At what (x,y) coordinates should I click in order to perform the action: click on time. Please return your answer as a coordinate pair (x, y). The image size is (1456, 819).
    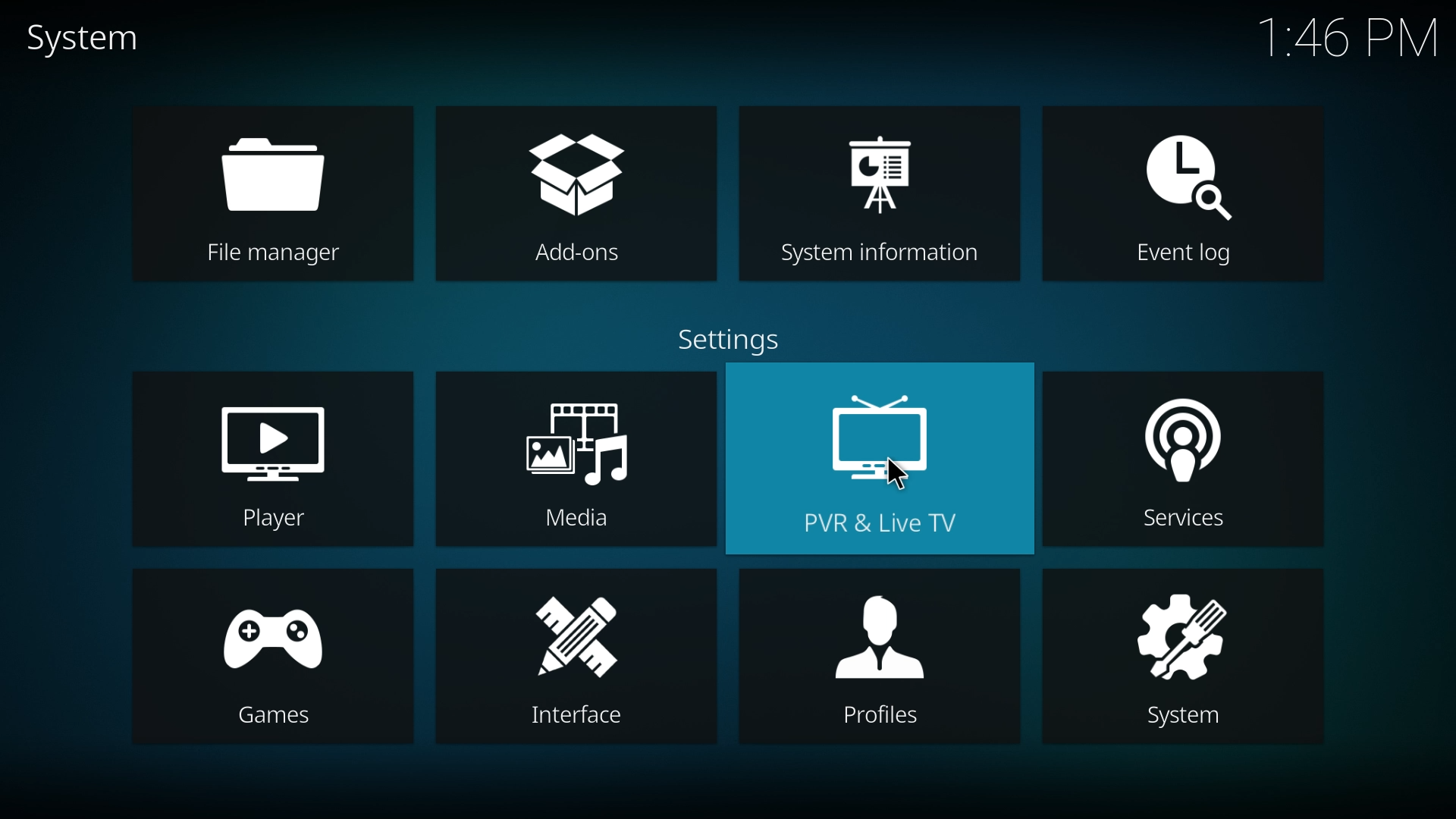
    Looking at the image, I should click on (1347, 39).